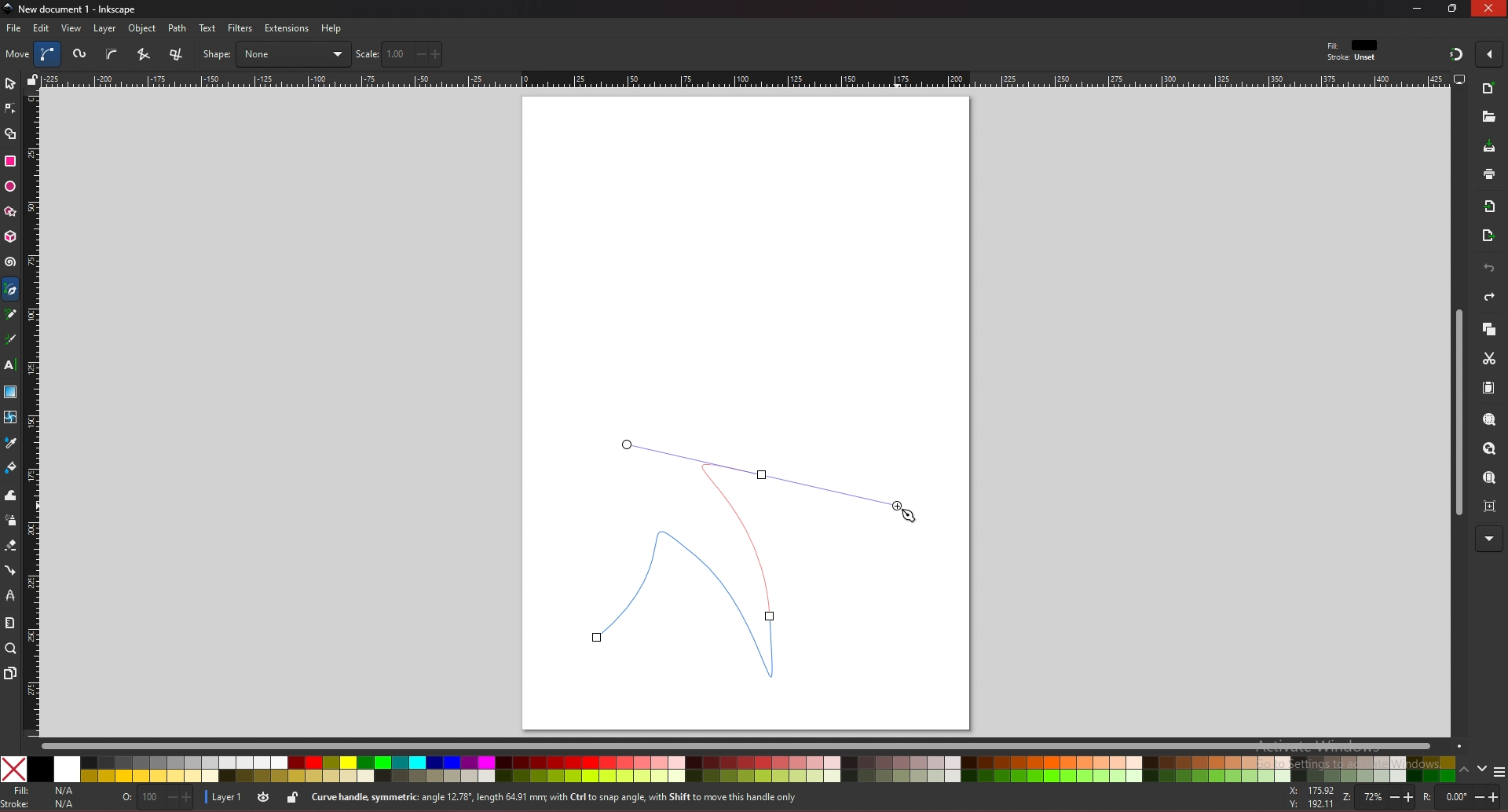  What do you see at coordinates (1418, 8) in the screenshot?
I see `minimize` at bounding box center [1418, 8].